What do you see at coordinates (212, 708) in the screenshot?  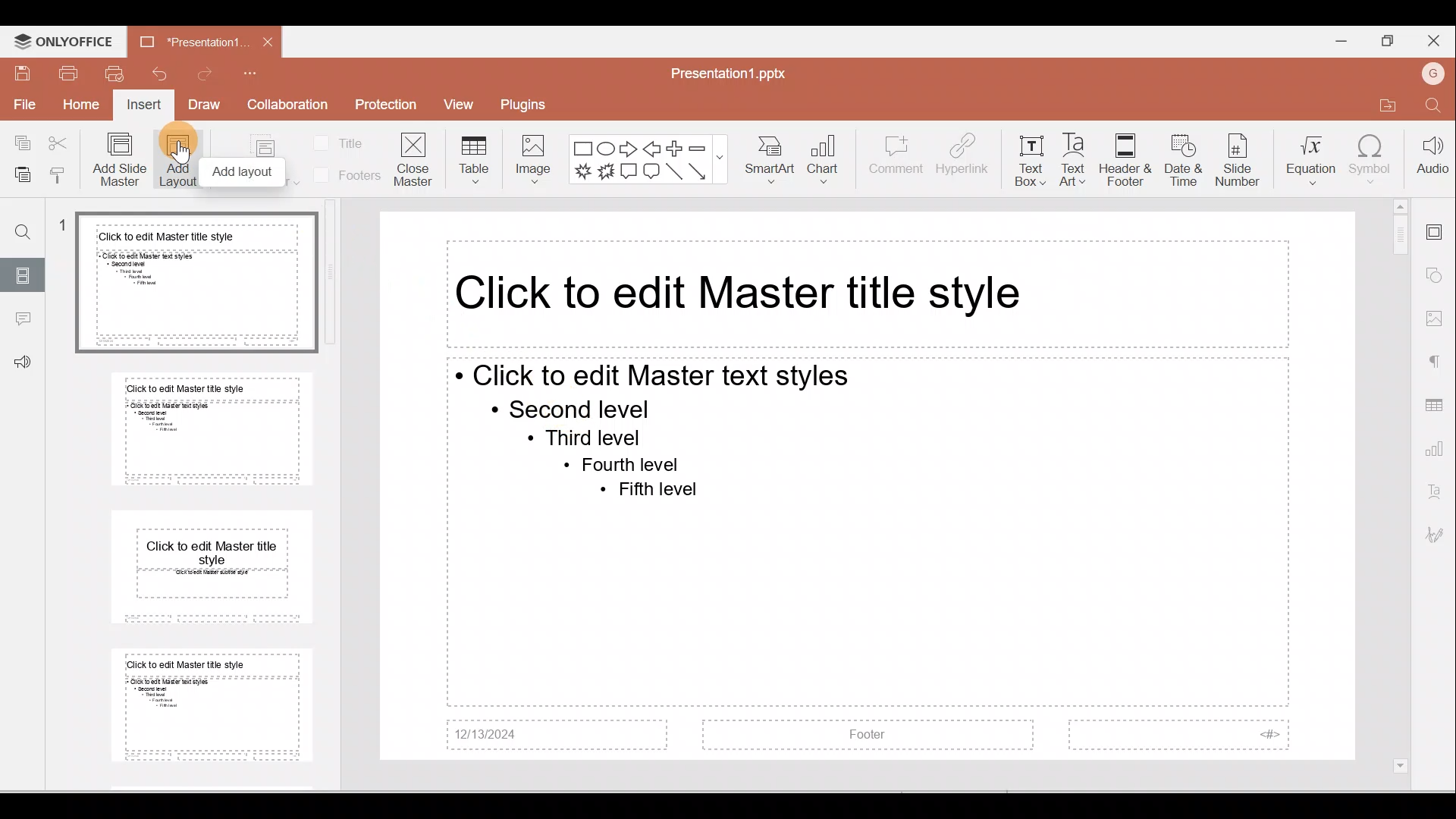 I see `Master slide 4` at bounding box center [212, 708].